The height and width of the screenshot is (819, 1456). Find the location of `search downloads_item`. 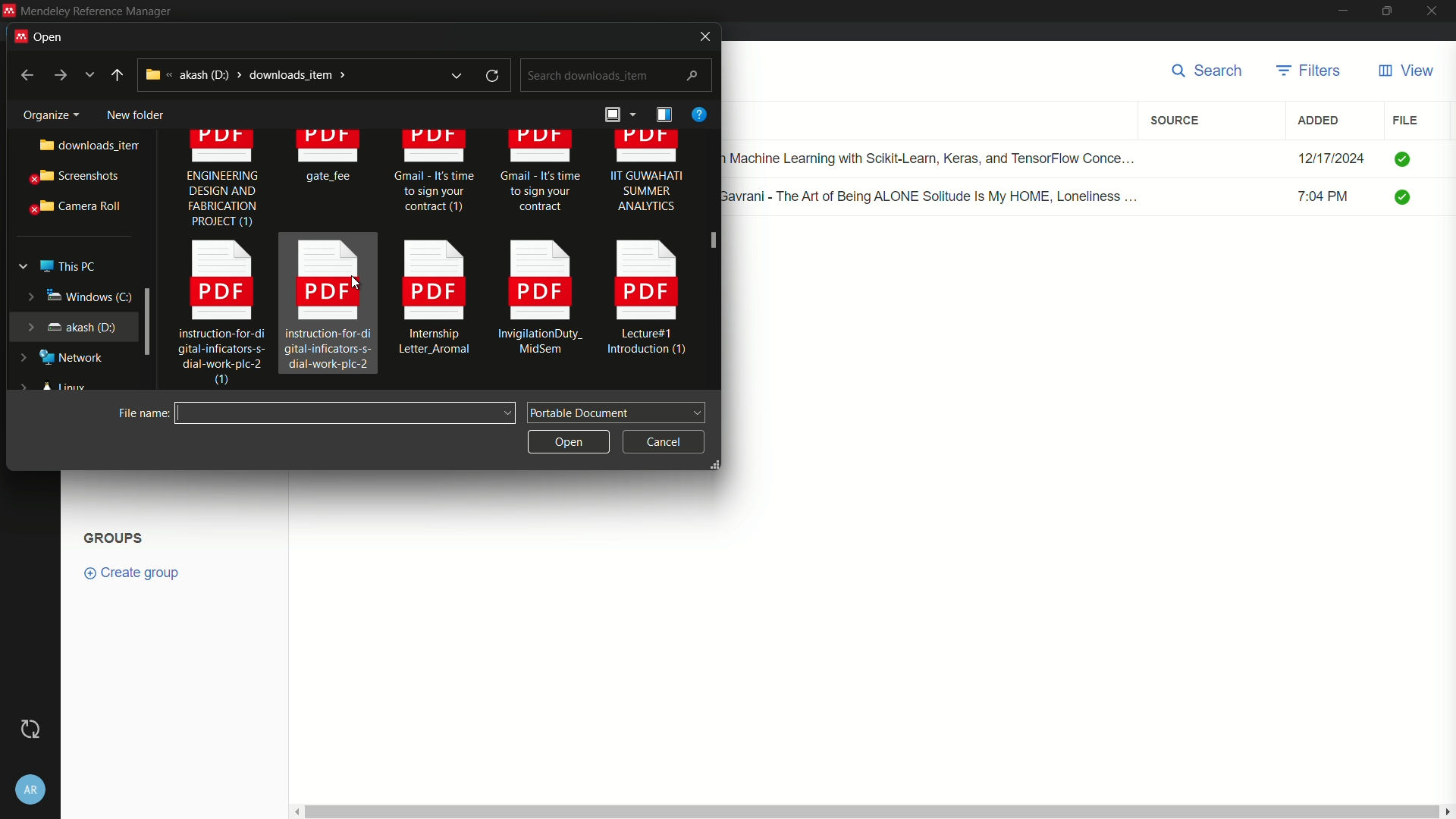

search downloads_item is located at coordinates (614, 76).